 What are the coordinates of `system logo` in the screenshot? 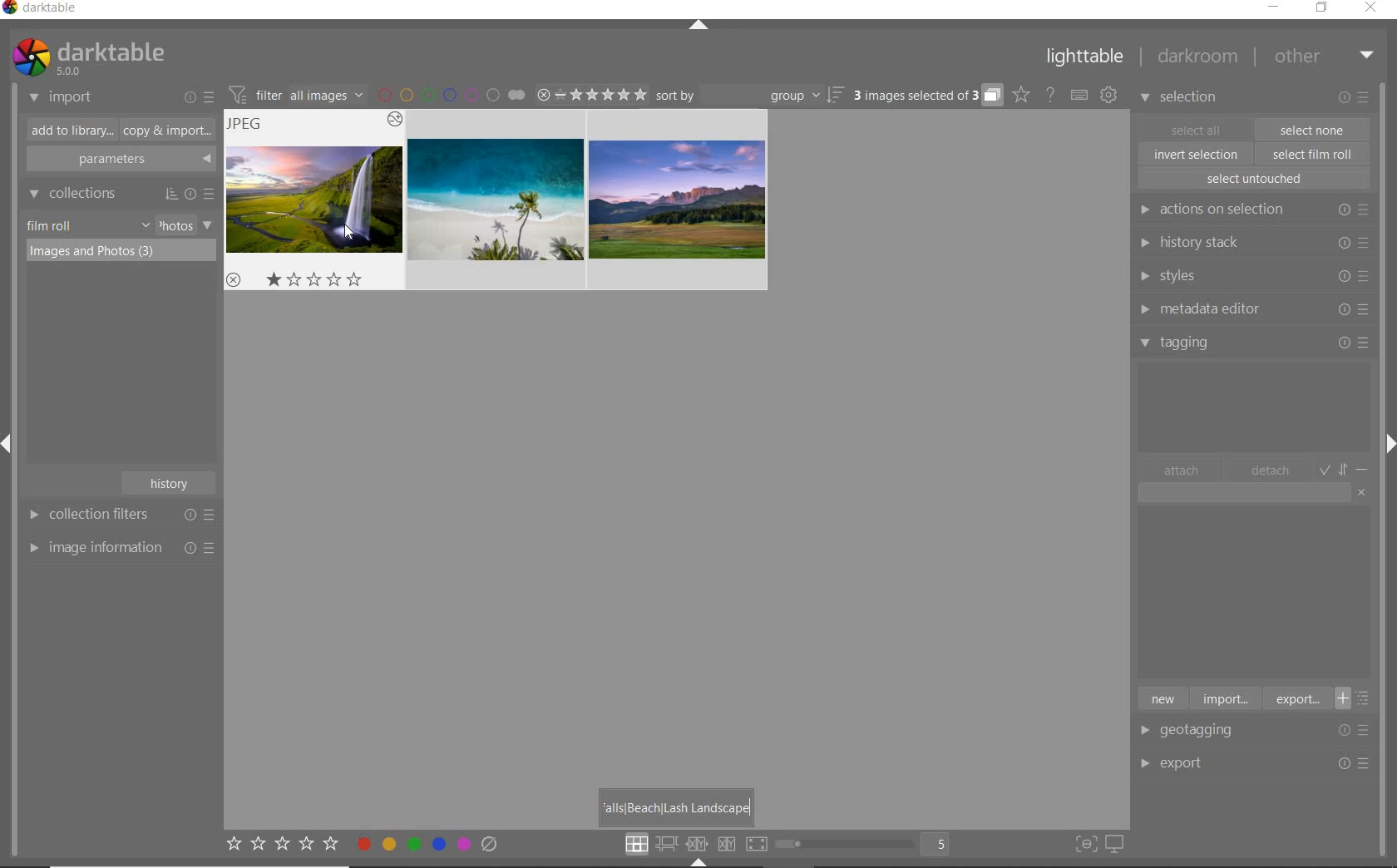 It's located at (87, 57).